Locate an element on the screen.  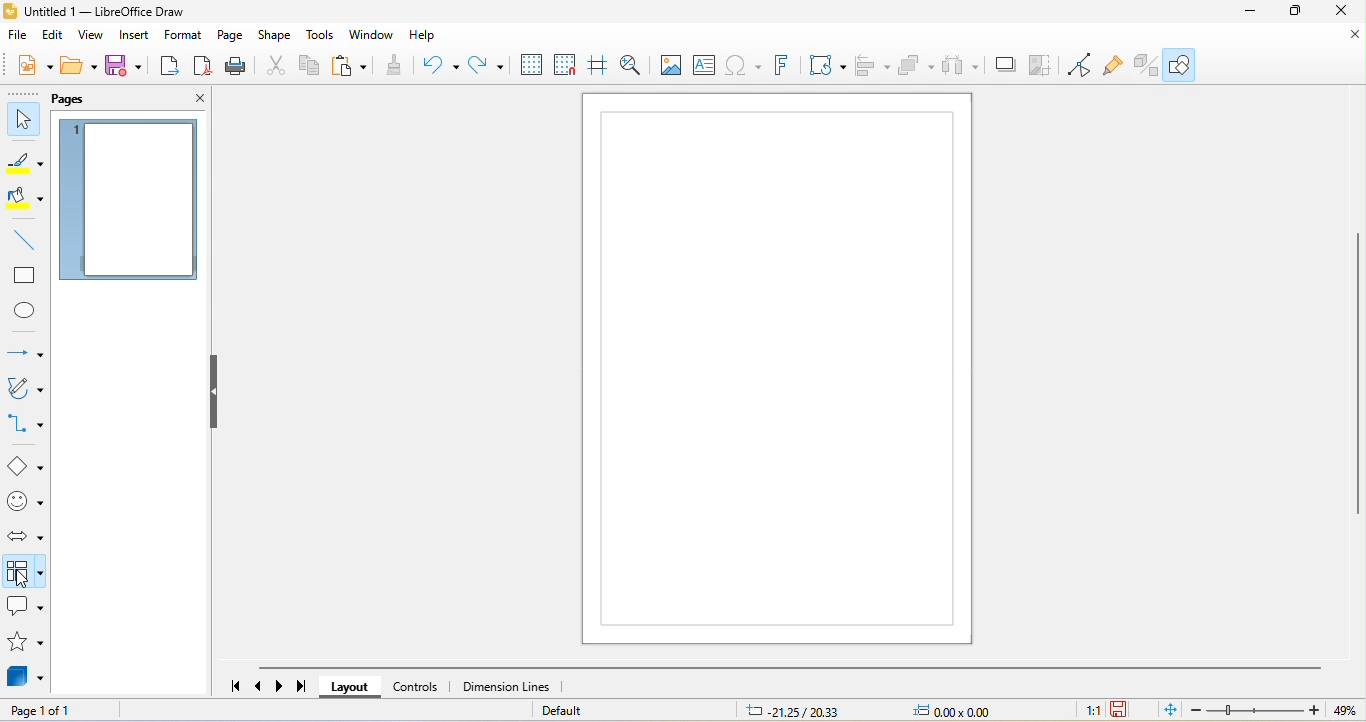
canvas is located at coordinates (781, 368).